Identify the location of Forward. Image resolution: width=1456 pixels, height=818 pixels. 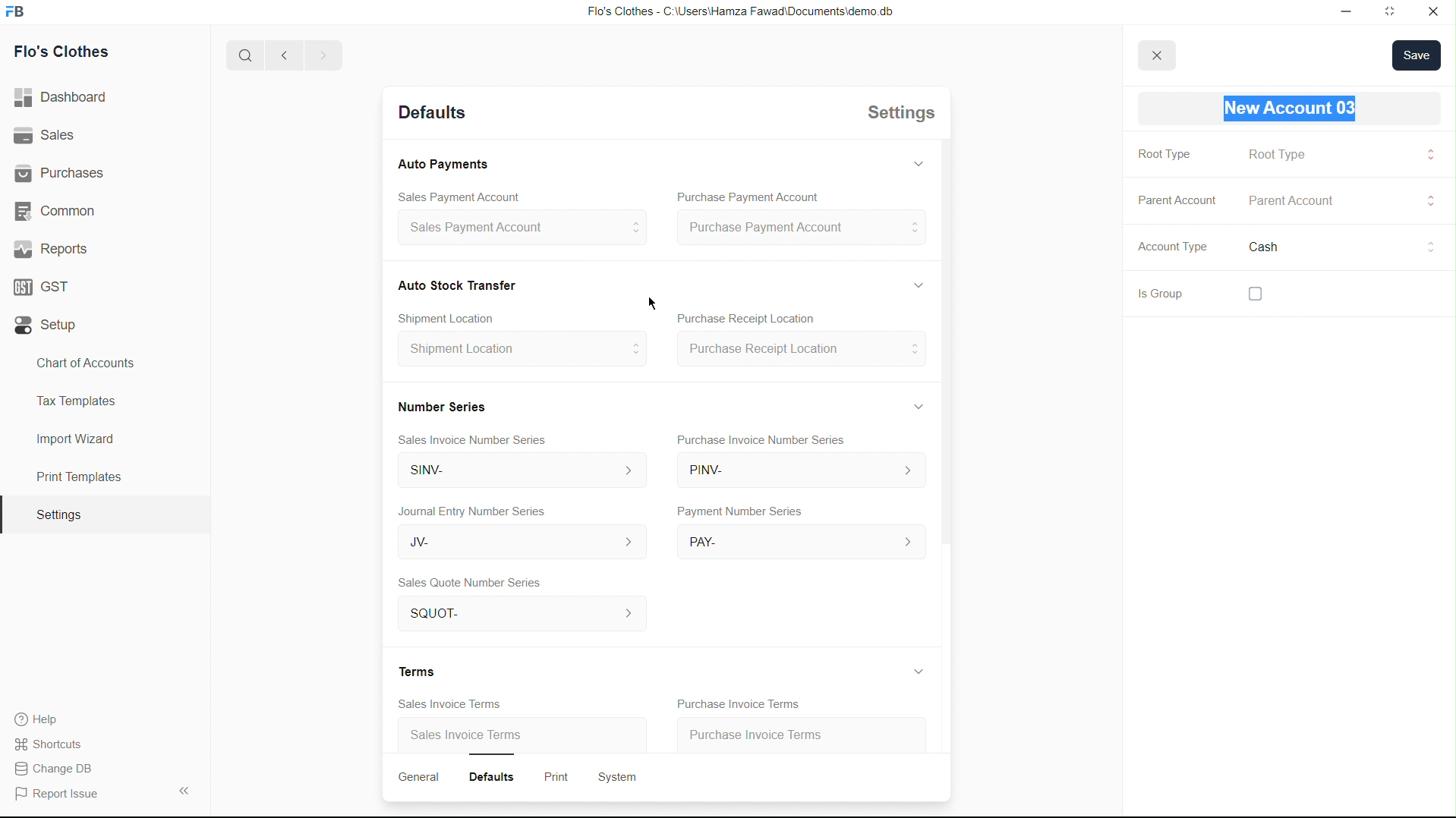
(323, 55).